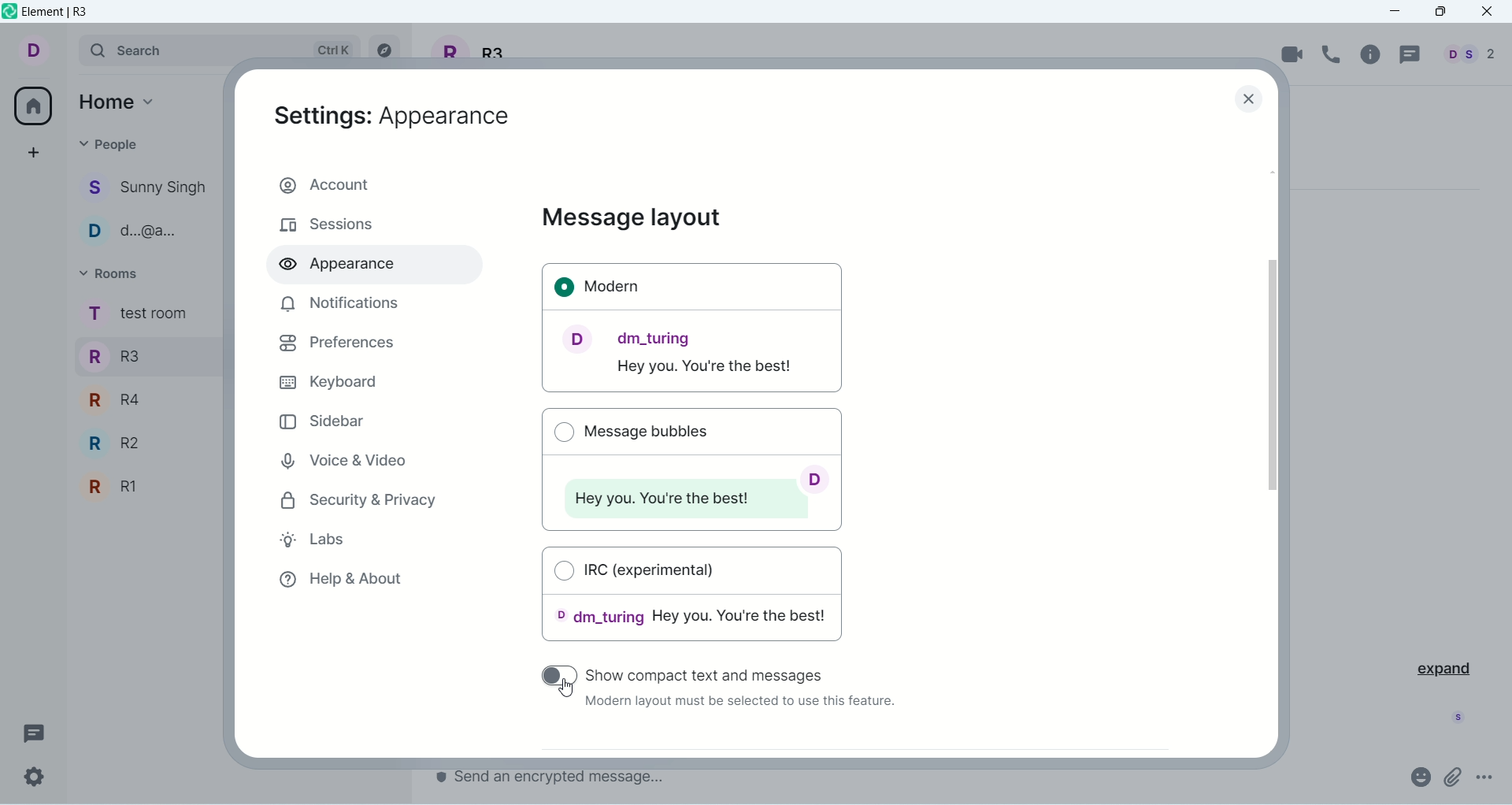 Image resolution: width=1512 pixels, height=805 pixels. Describe the element at coordinates (393, 116) in the screenshot. I see `appearance` at that location.